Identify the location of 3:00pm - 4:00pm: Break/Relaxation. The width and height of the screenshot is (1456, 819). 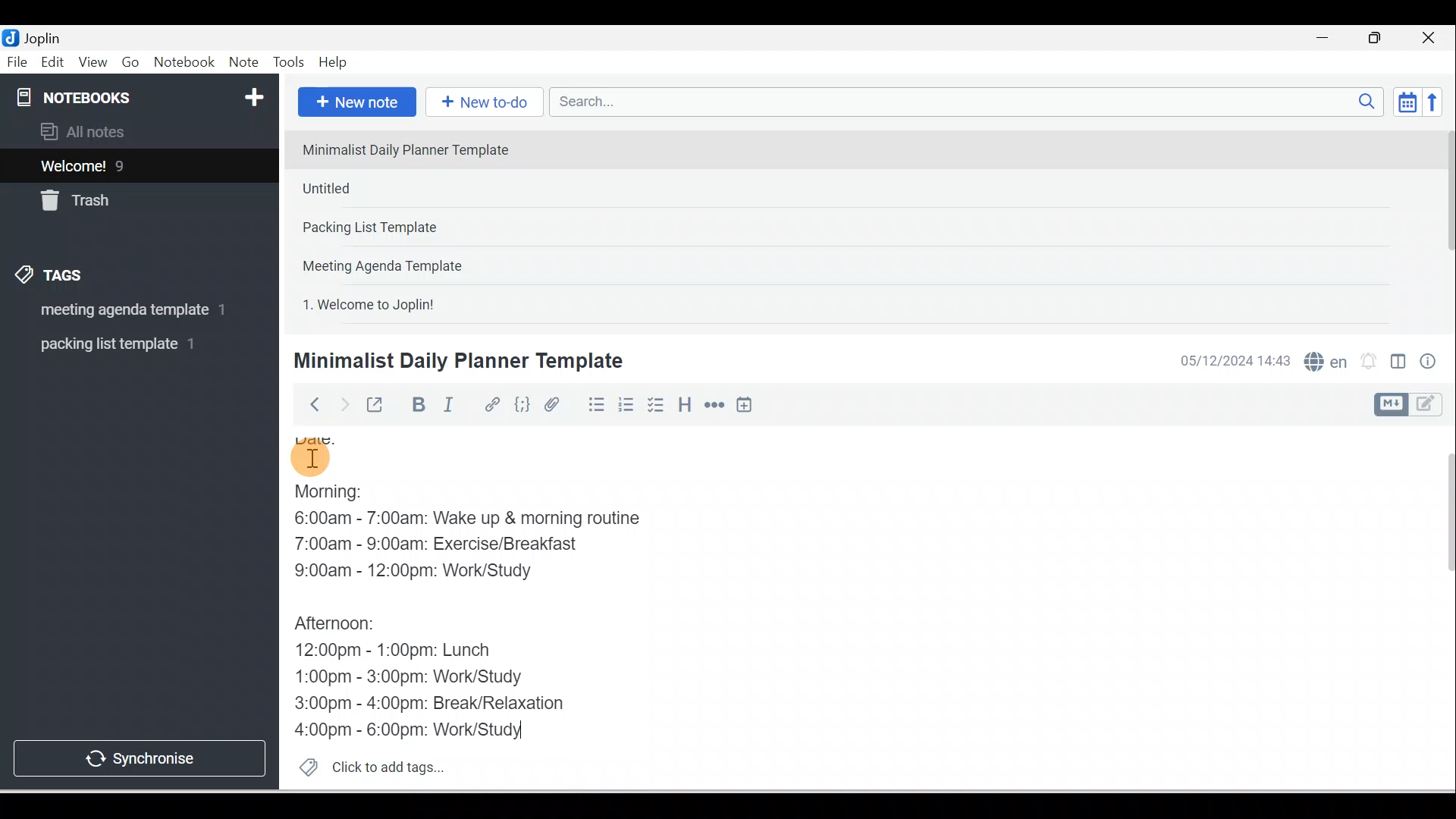
(462, 703).